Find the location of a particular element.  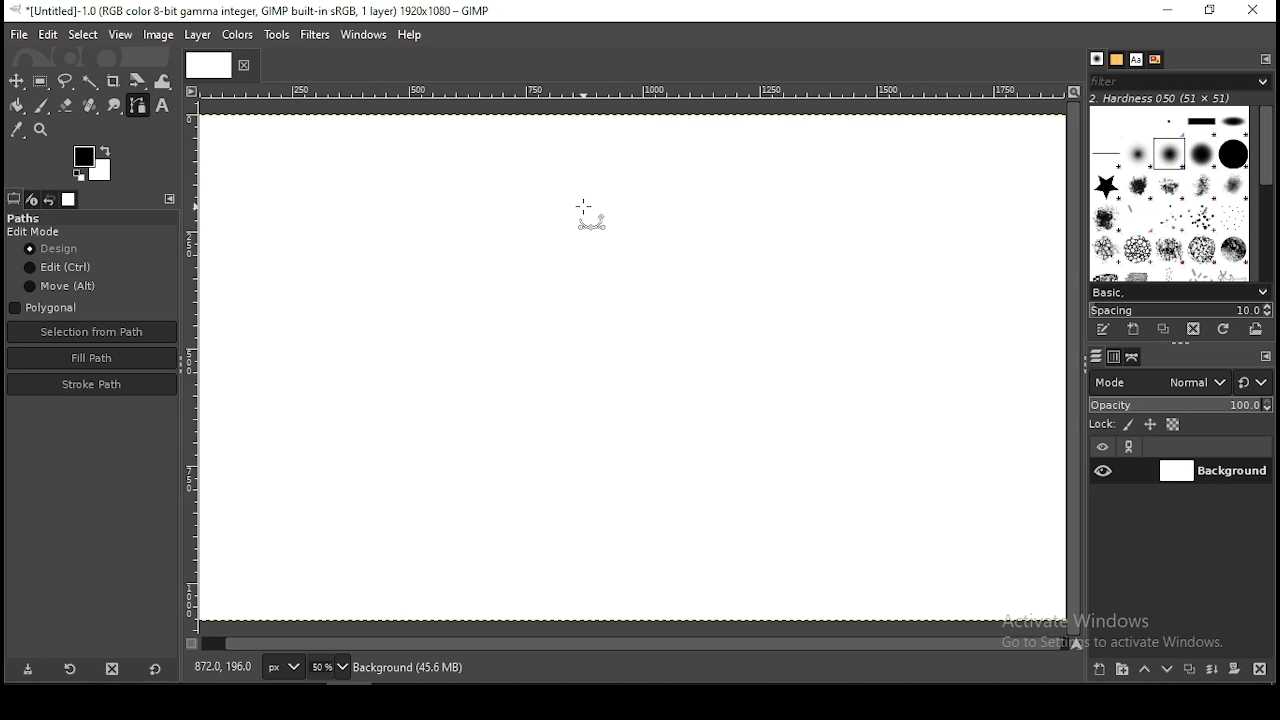

configure this tab is located at coordinates (172, 199).